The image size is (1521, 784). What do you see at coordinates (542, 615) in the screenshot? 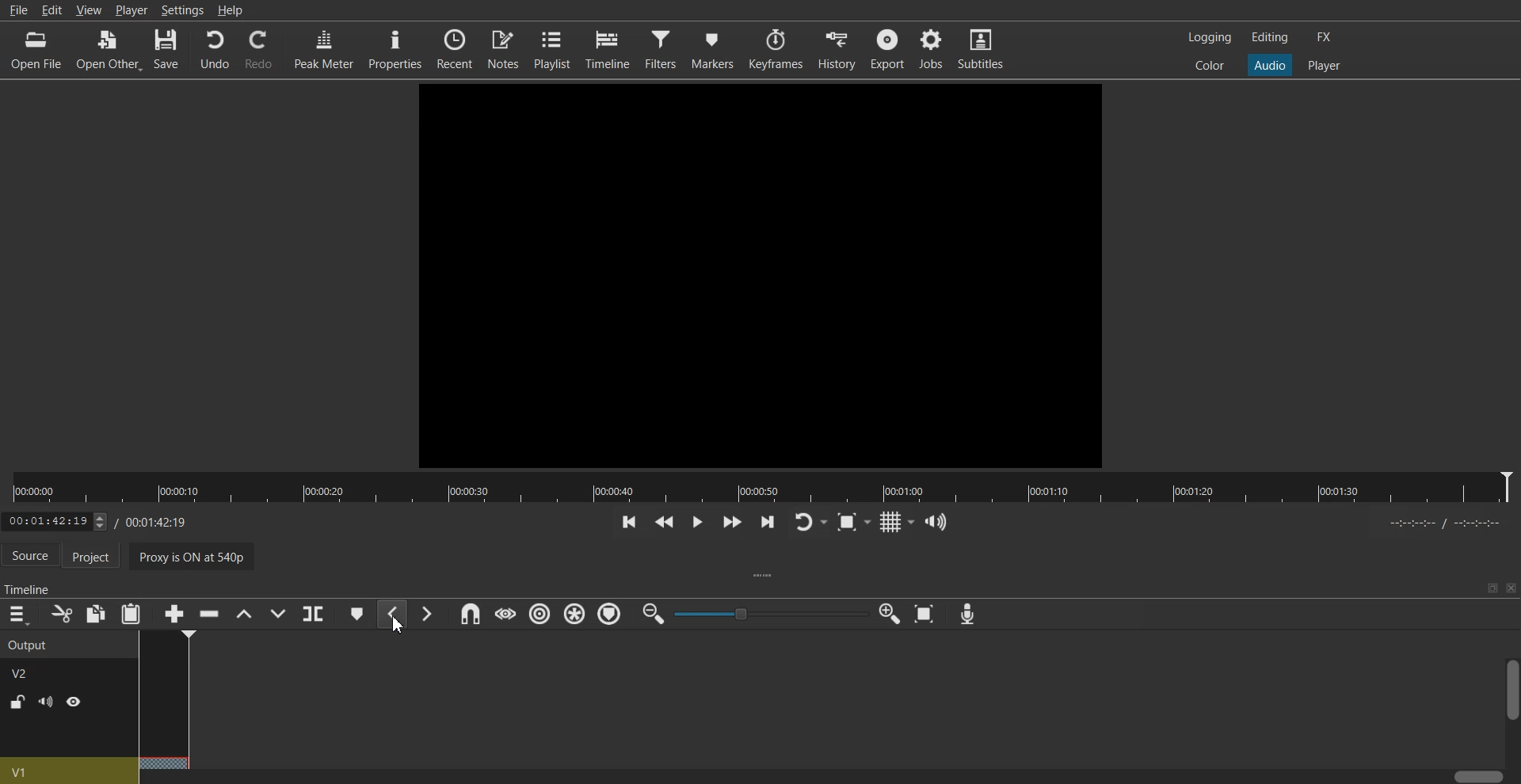
I see `Ripple` at bounding box center [542, 615].